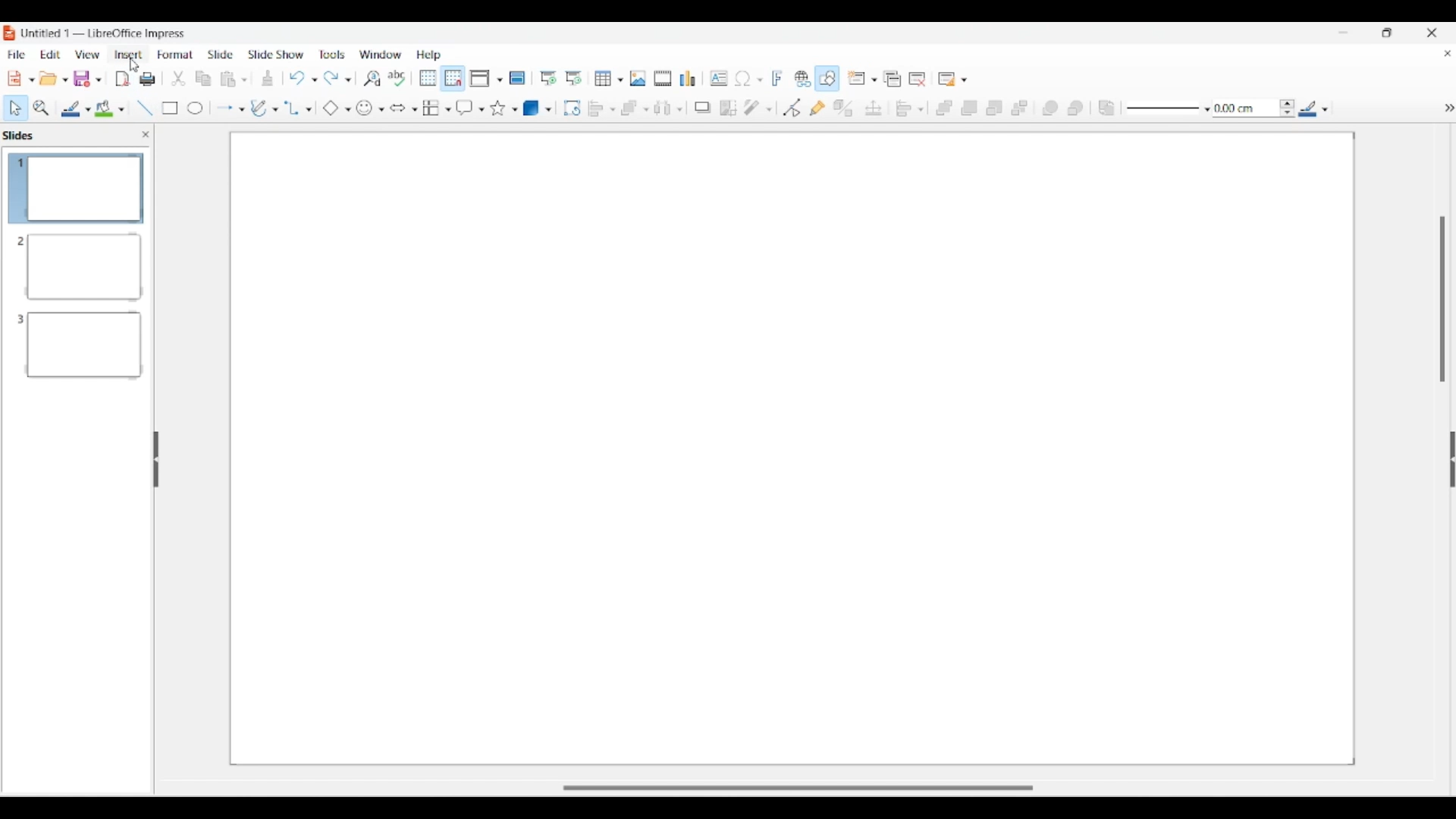 The image size is (1456, 819). What do you see at coordinates (76, 109) in the screenshot?
I see `Line color options ` at bounding box center [76, 109].